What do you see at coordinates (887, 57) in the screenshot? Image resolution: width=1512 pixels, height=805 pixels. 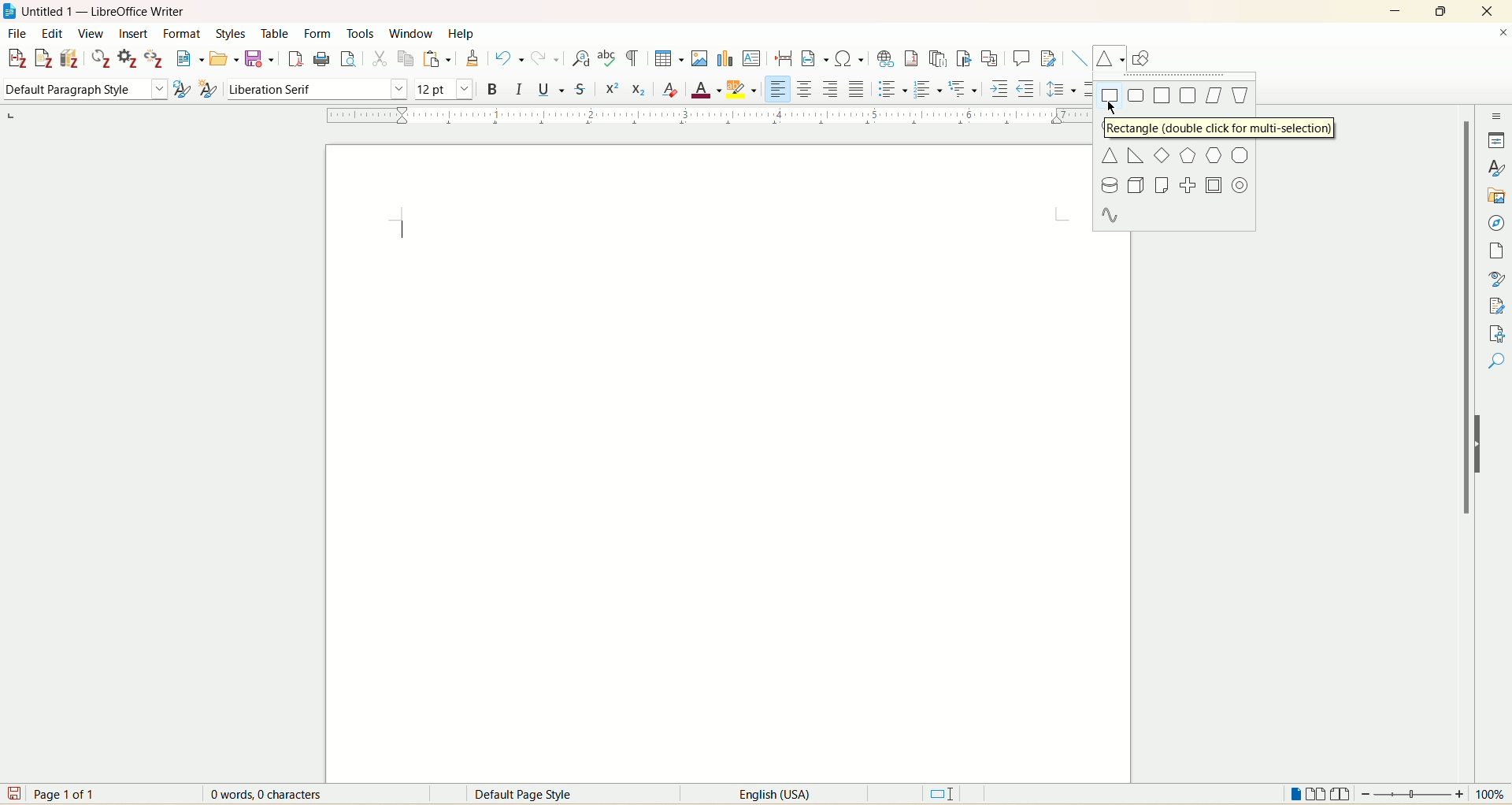 I see `insert hyperlink` at bounding box center [887, 57].